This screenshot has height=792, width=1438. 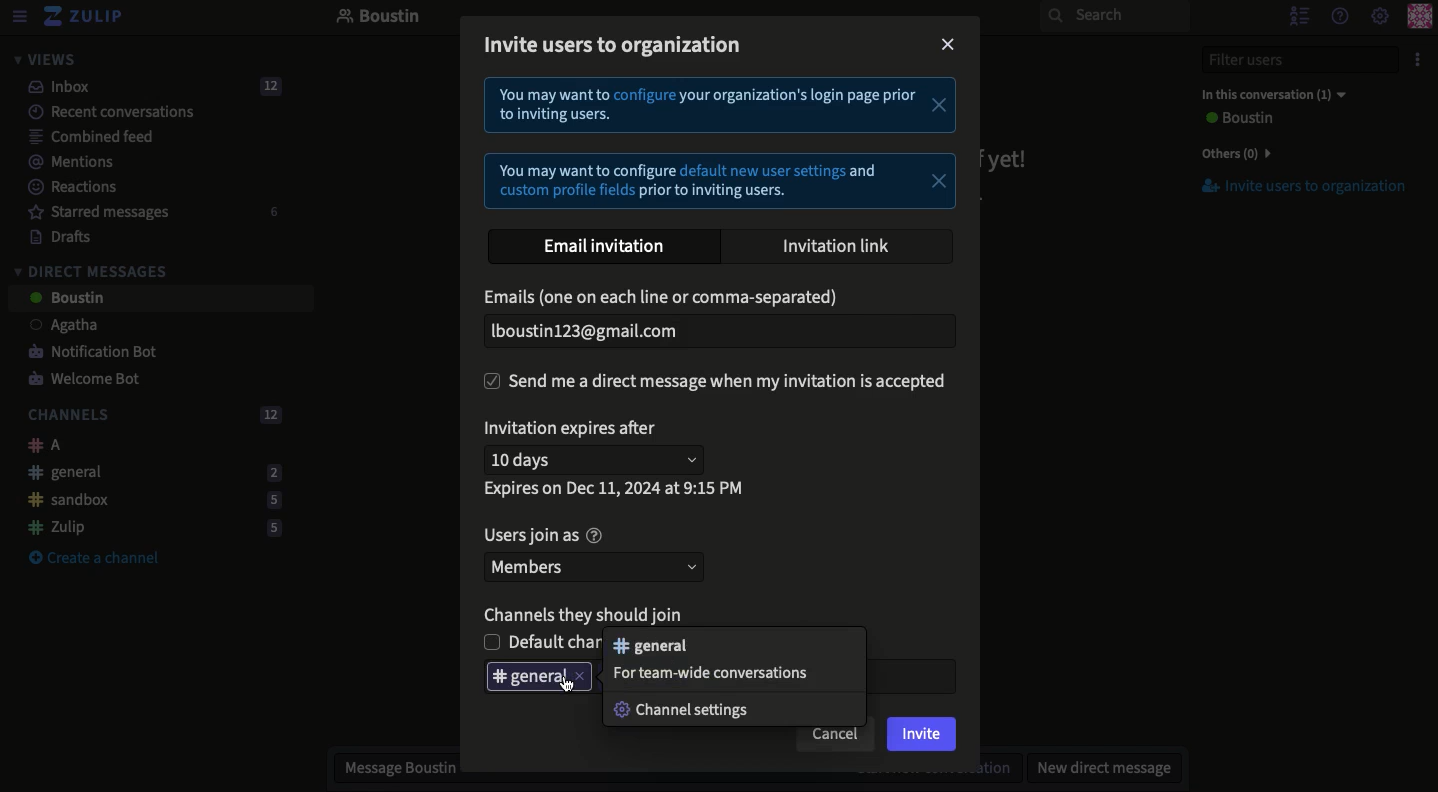 I want to click on Zulip, so click(x=148, y=527).